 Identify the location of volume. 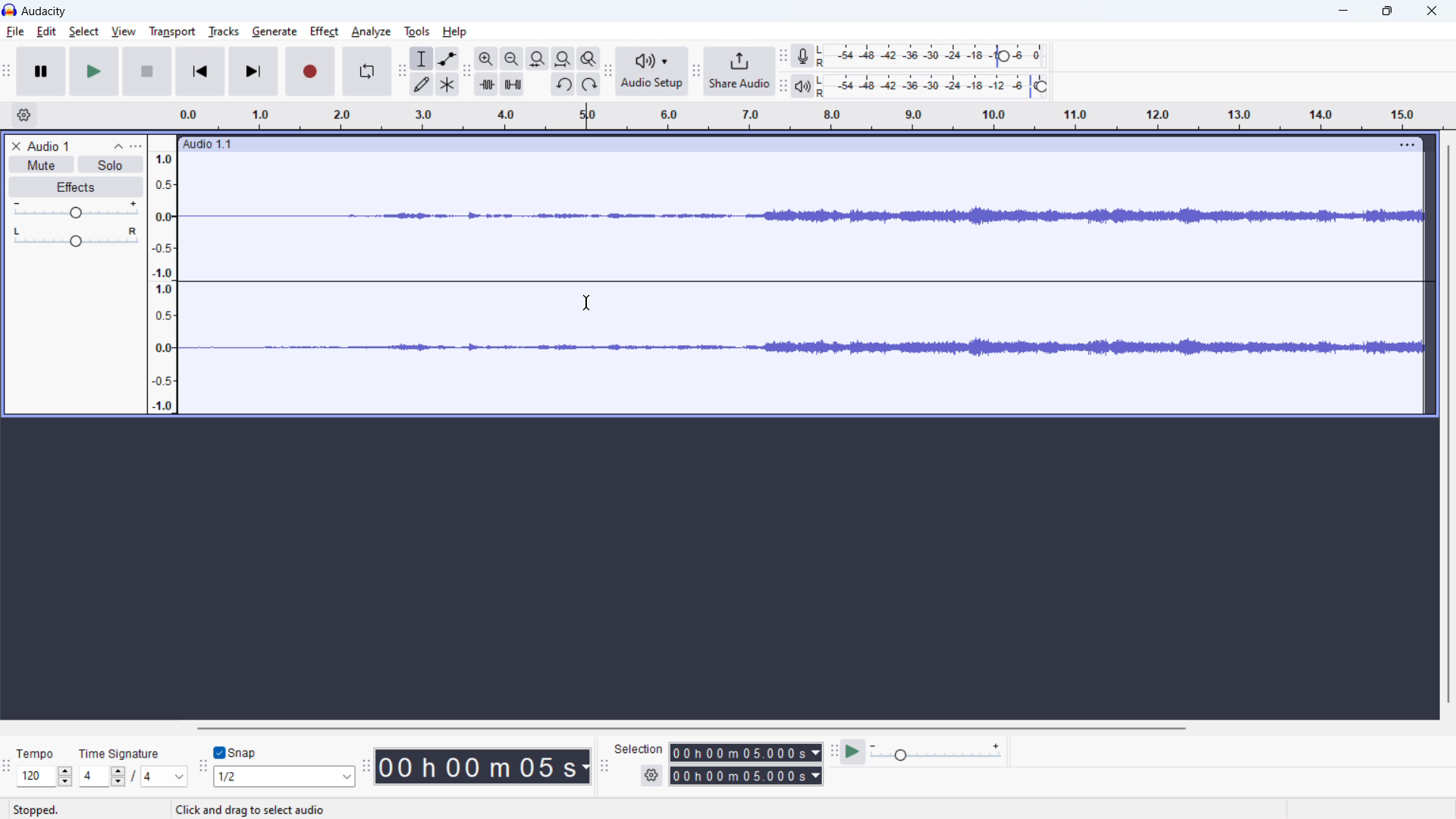
(74, 209).